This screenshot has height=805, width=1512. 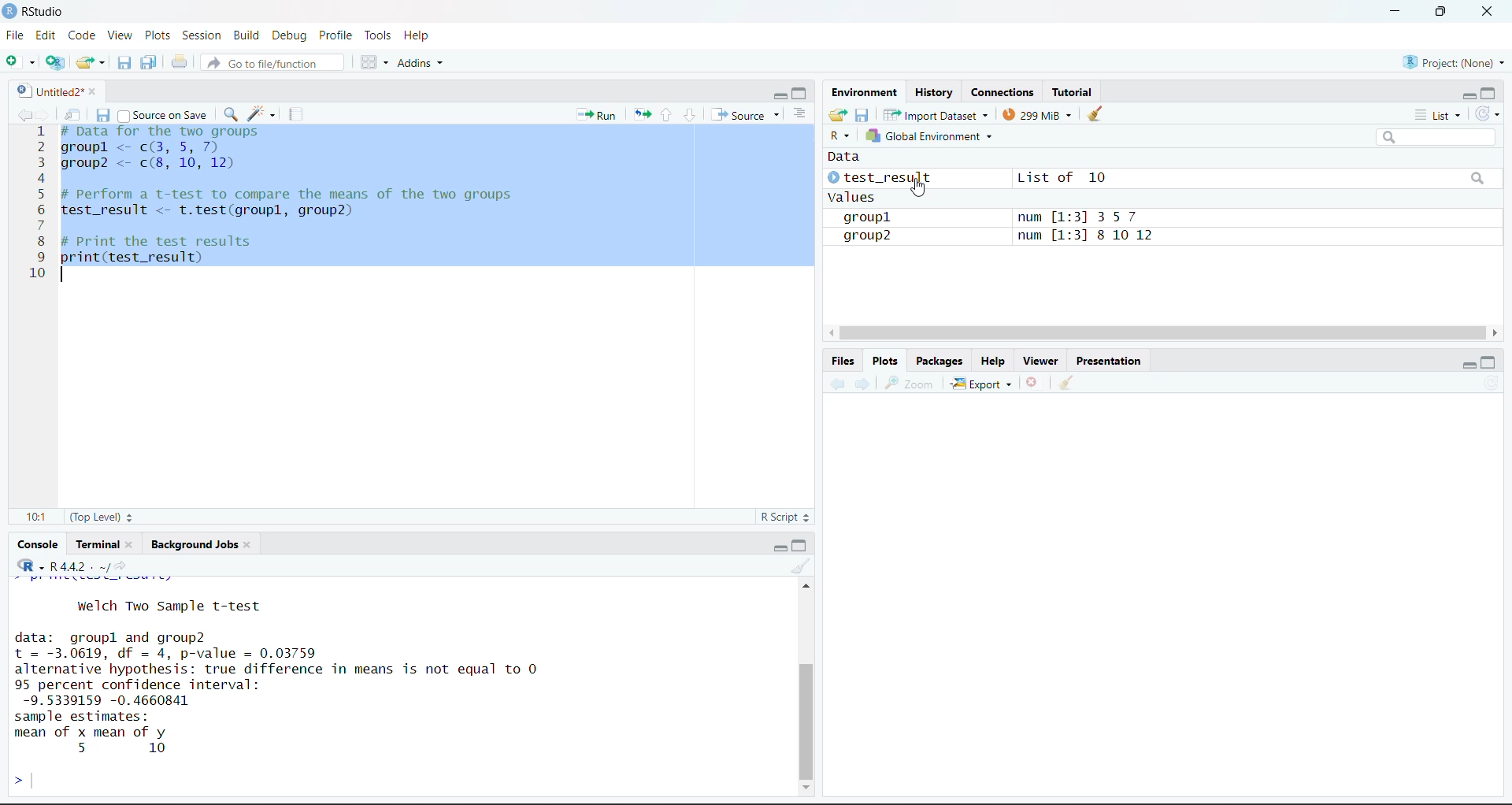 What do you see at coordinates (1435, 137) in the screenshot?
I see `search bar` at bounding box center [1435, 137].